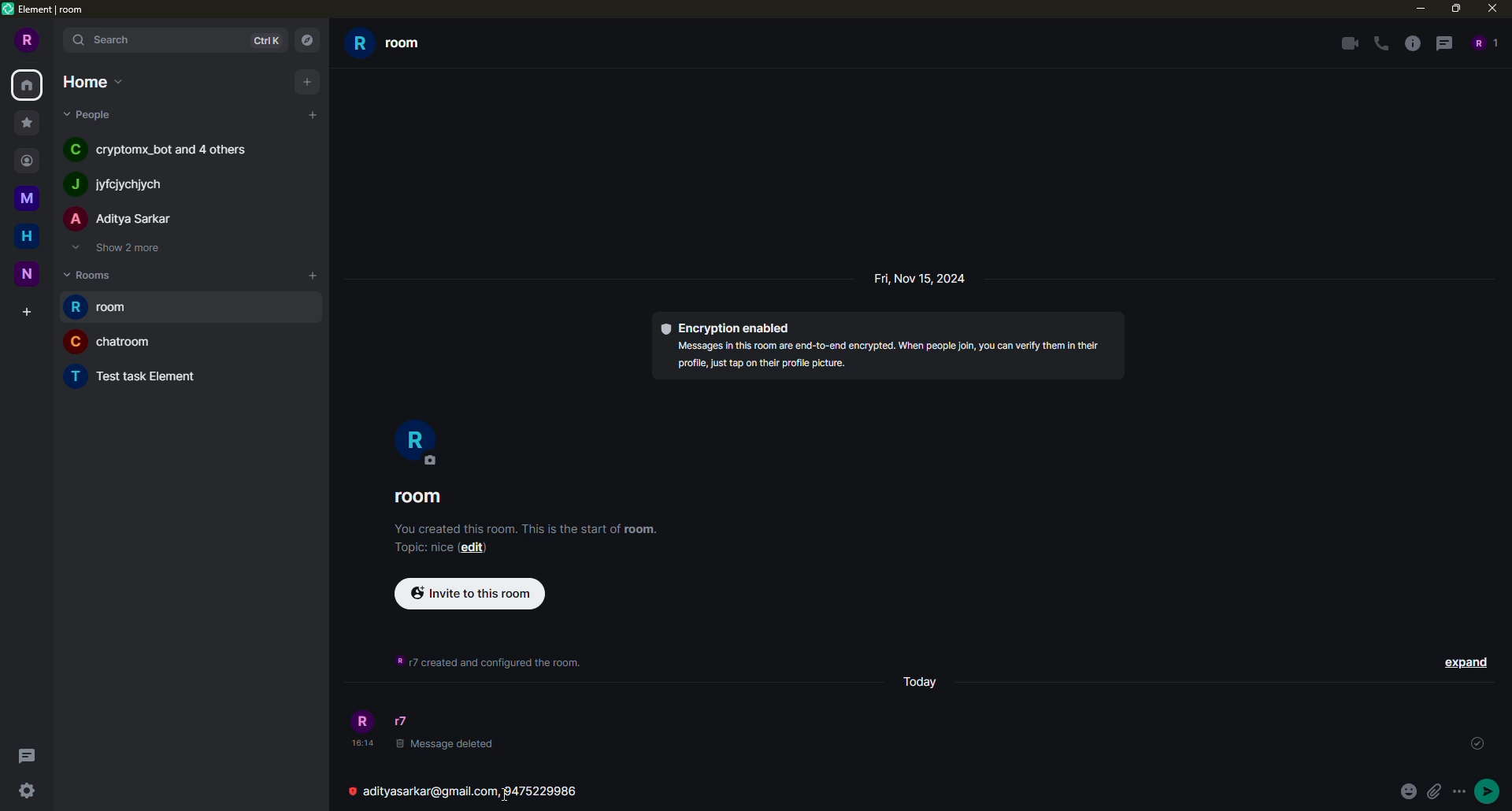 The height and width of the screenshot is (811, 1512). I want to click on home, so click(24, 235).